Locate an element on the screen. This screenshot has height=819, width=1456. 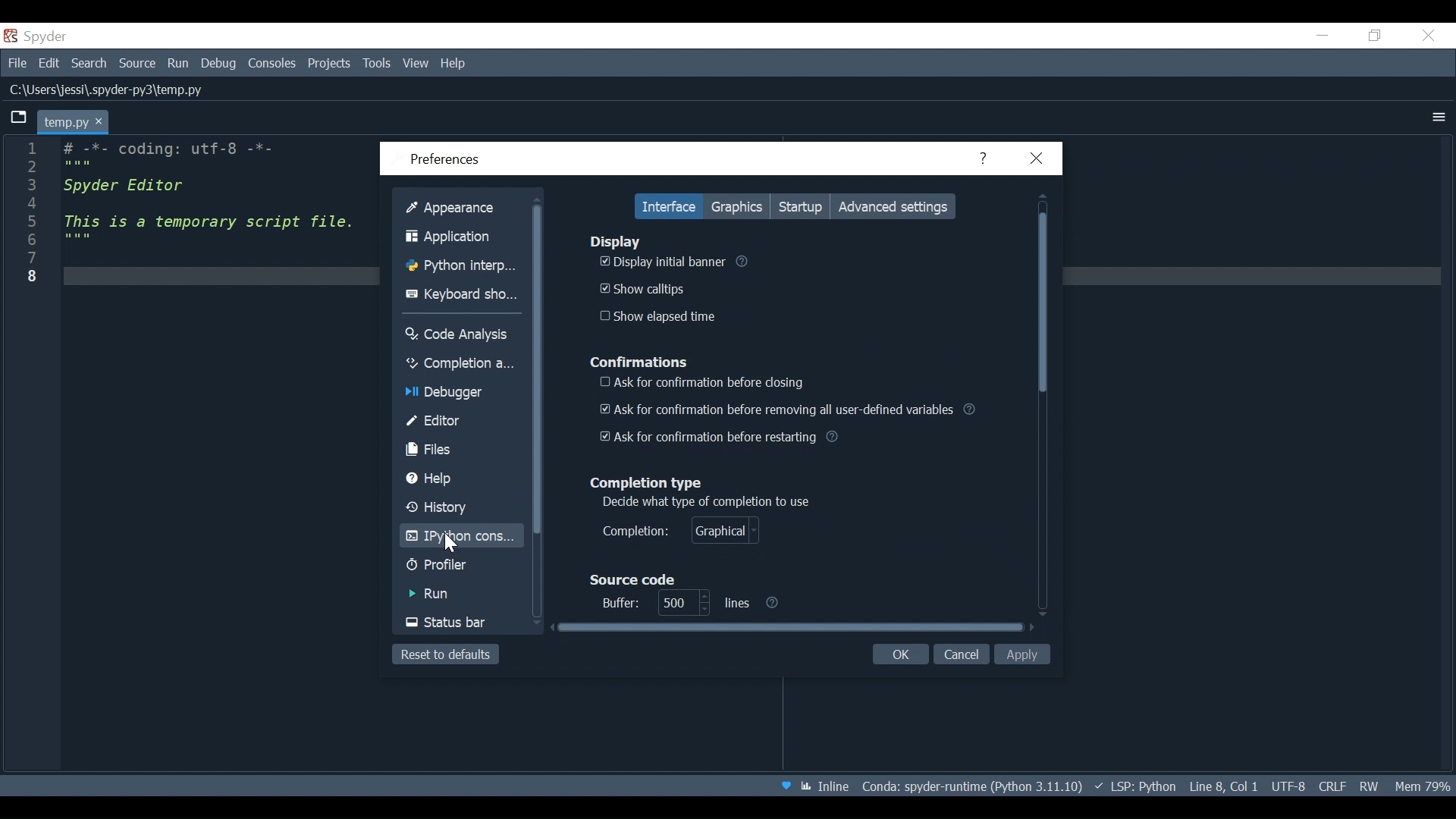
History is located at coordinates (457, 508).